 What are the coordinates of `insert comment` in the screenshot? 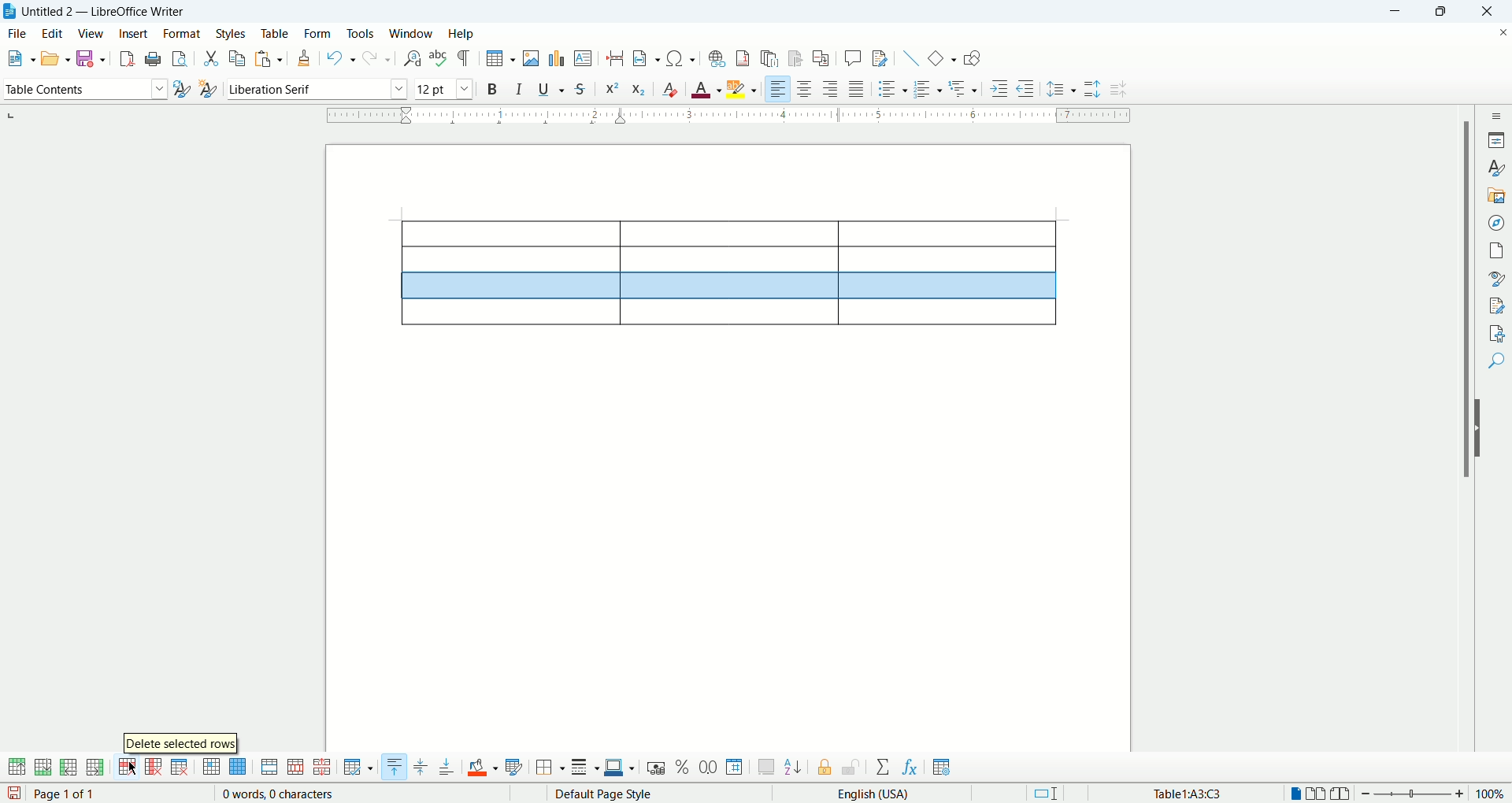 It's located at (583, 58).